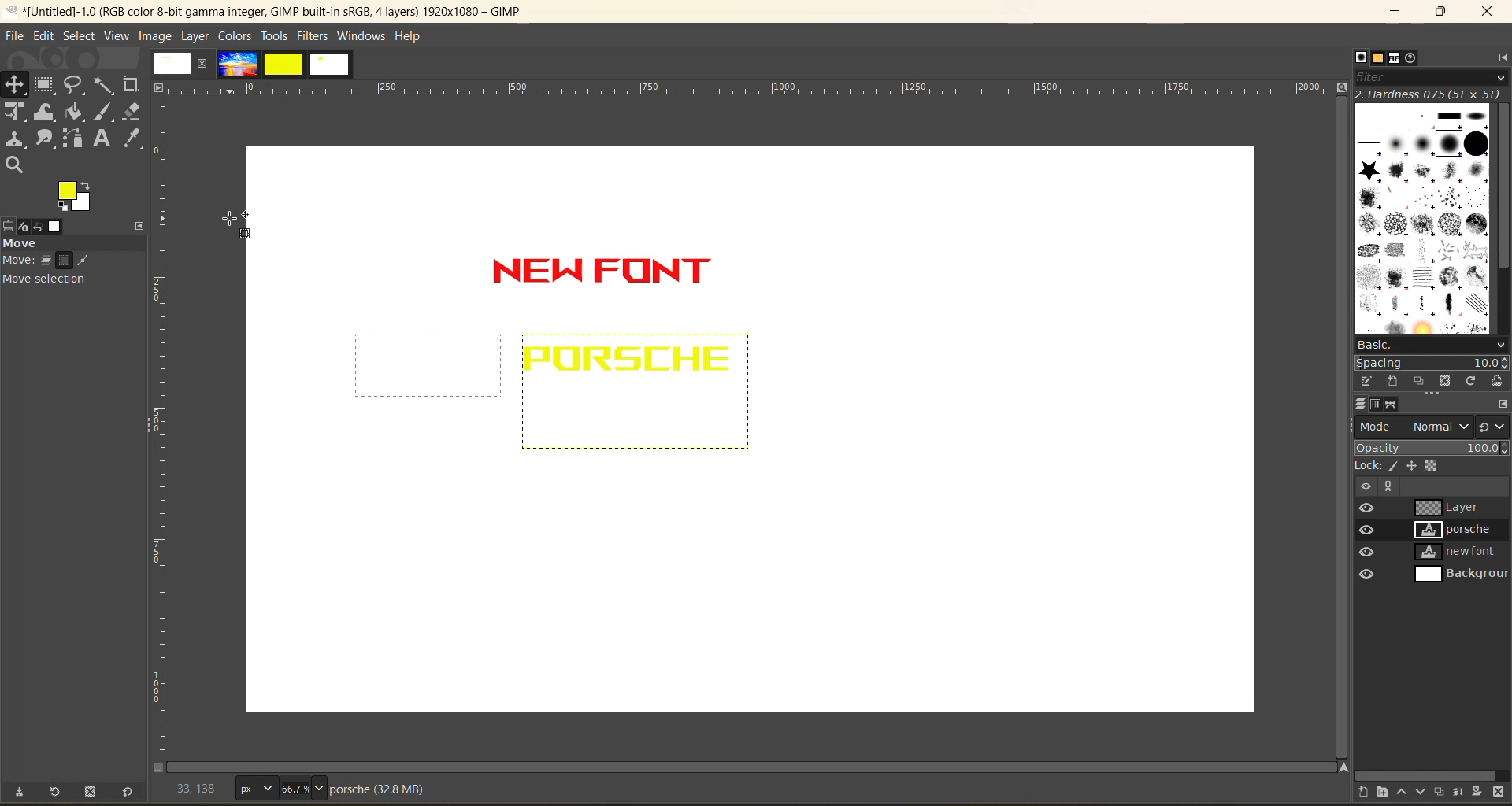  I want to click on crope, so click(131, 85).